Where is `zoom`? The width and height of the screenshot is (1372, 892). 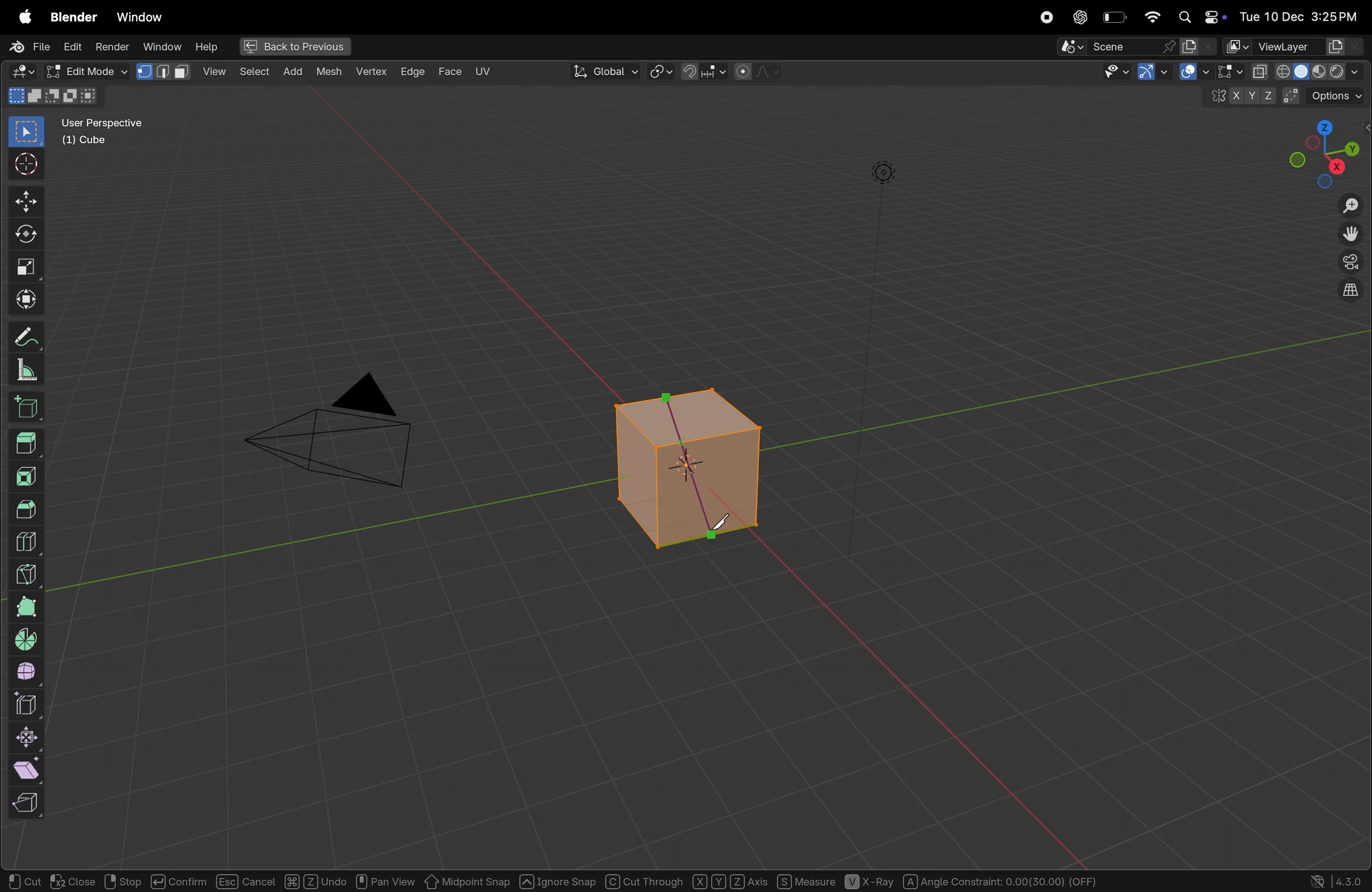 zoom is located at coordinates (1349, 207).